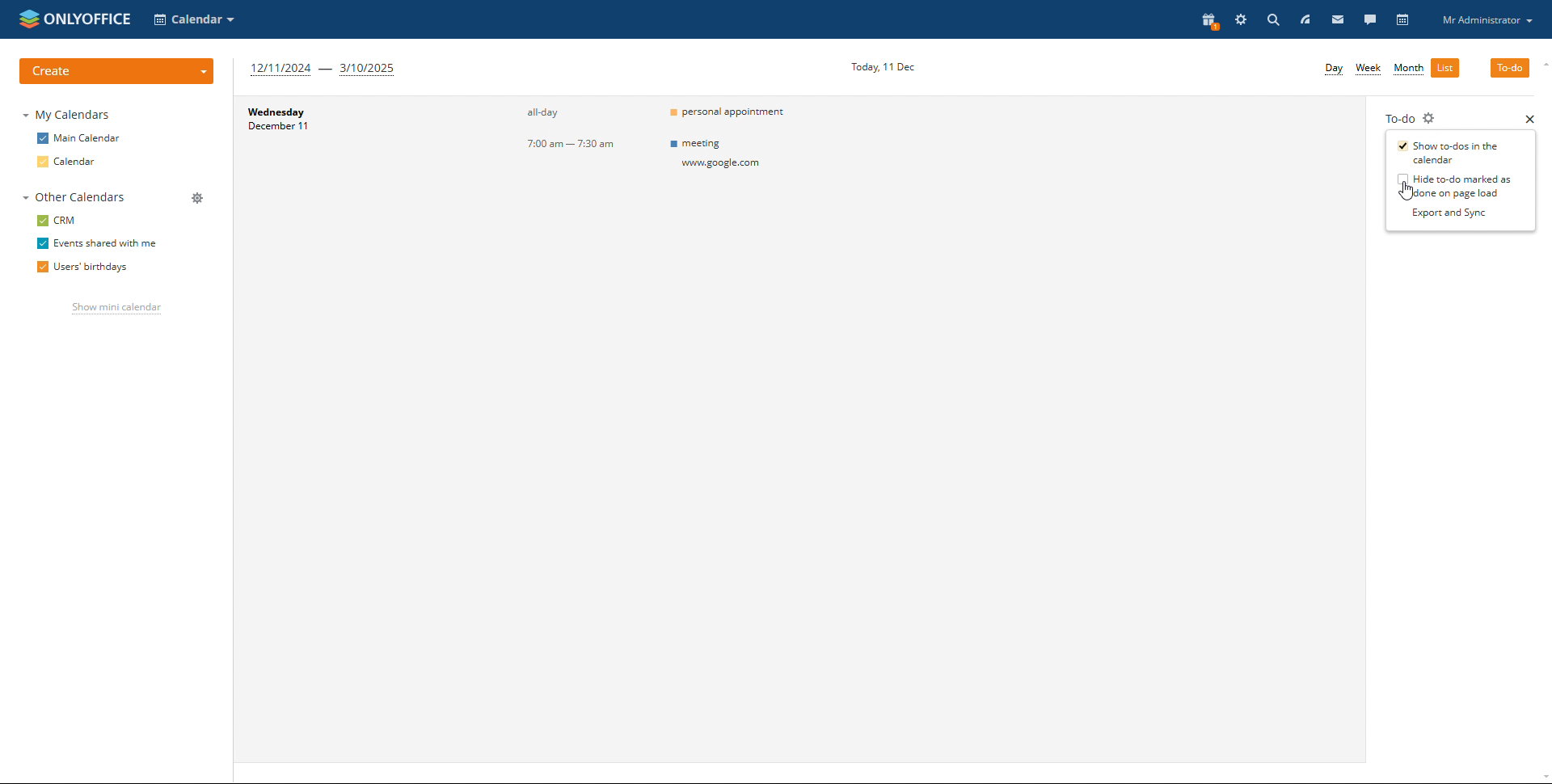  I want to click on next 3 months, so click(325, 70).